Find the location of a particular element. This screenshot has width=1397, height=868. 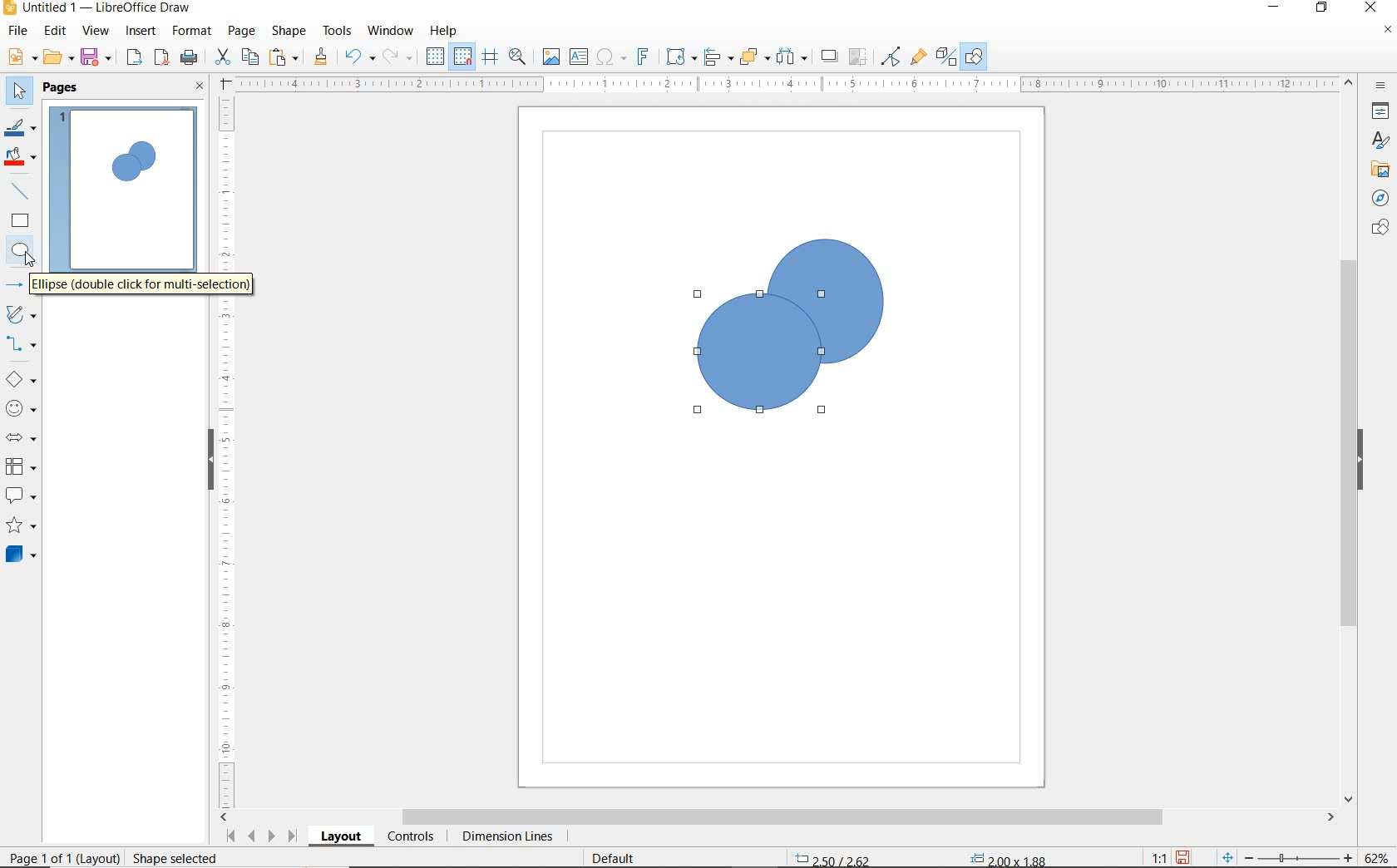

ARRANGE is located at coordinates (754, 57).